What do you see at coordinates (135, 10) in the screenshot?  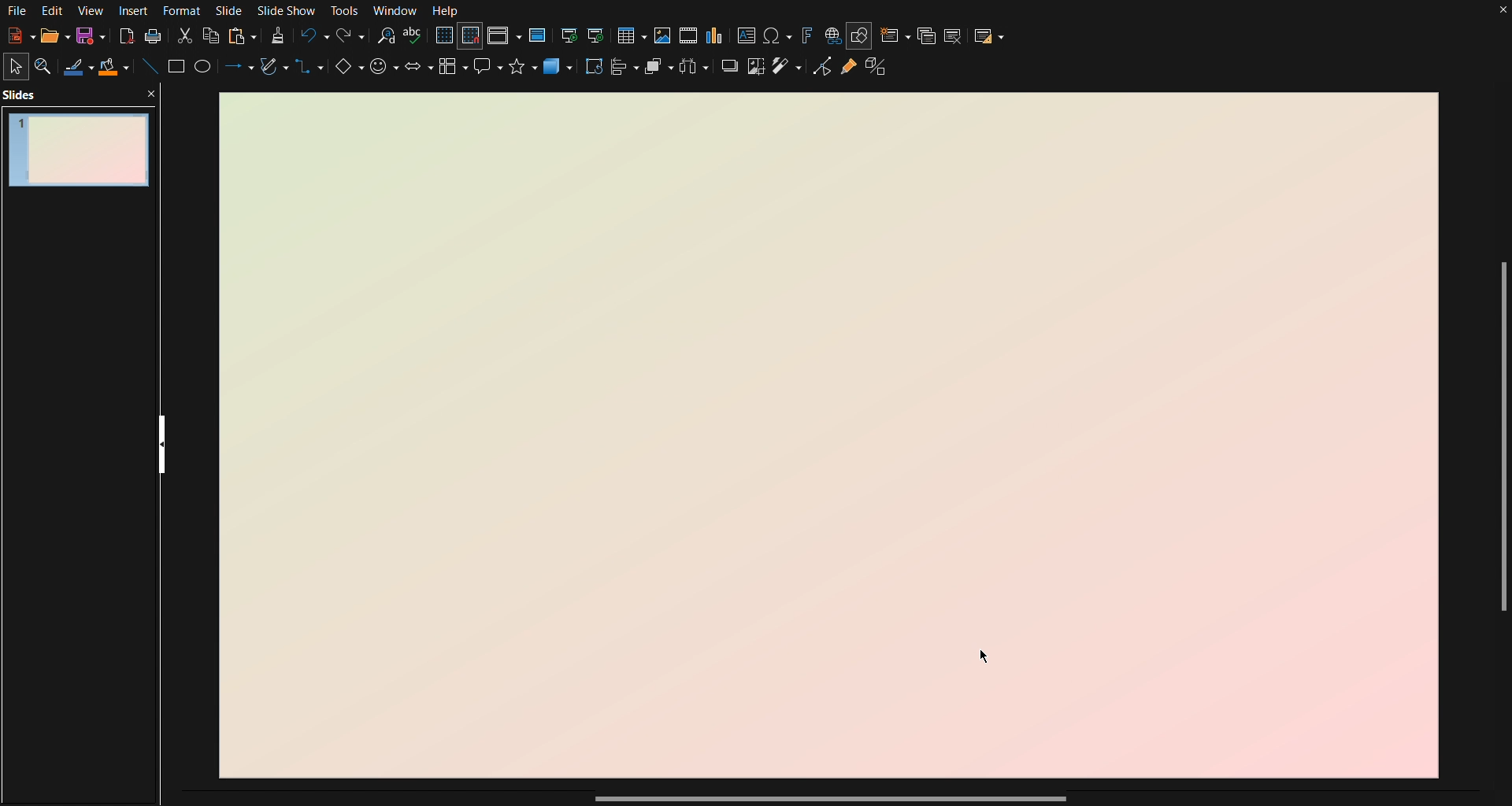 I see `Insert` at bounding box center [135, 10].